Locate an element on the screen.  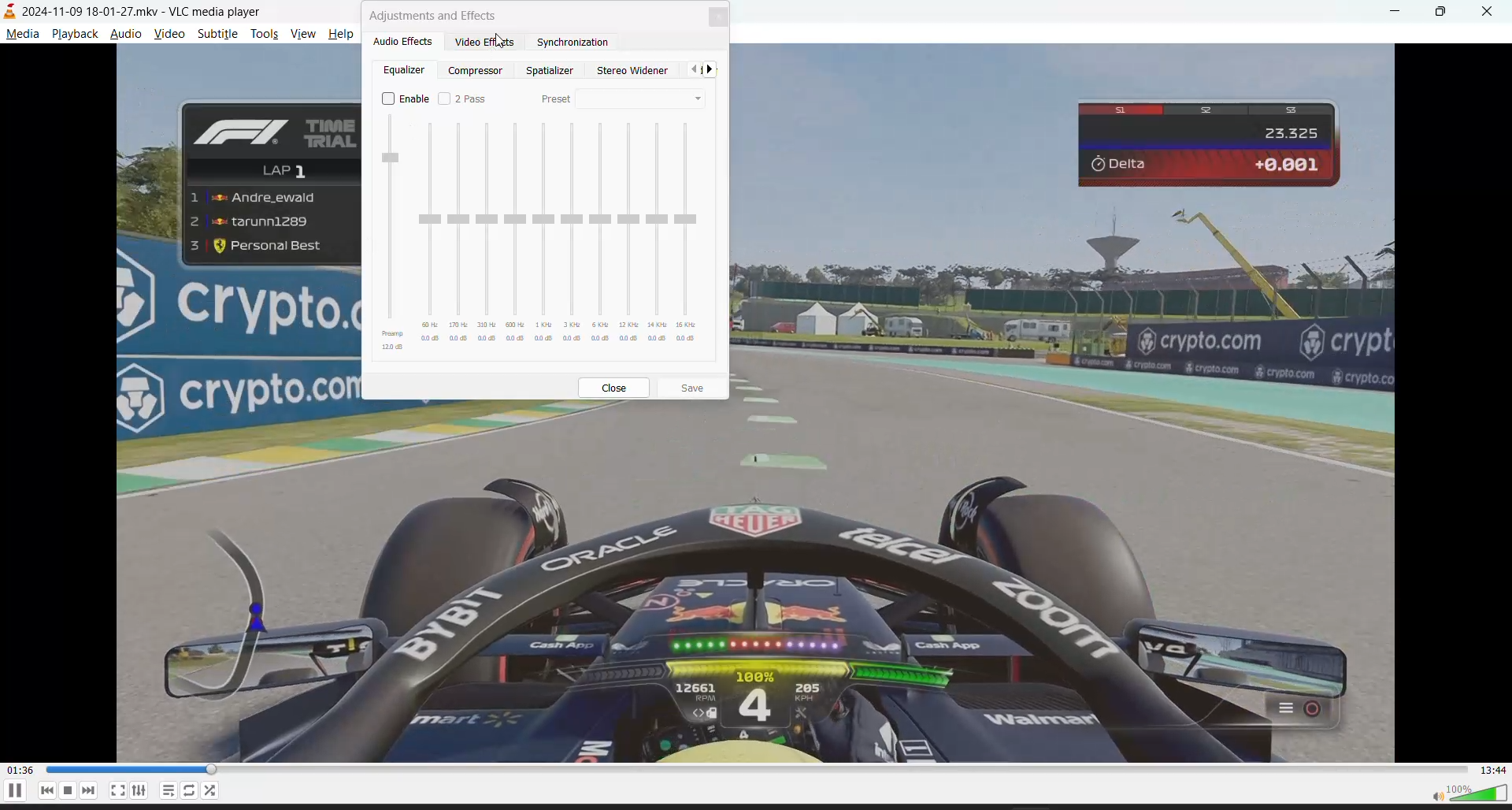
playback is located at coordinates (76, 34).